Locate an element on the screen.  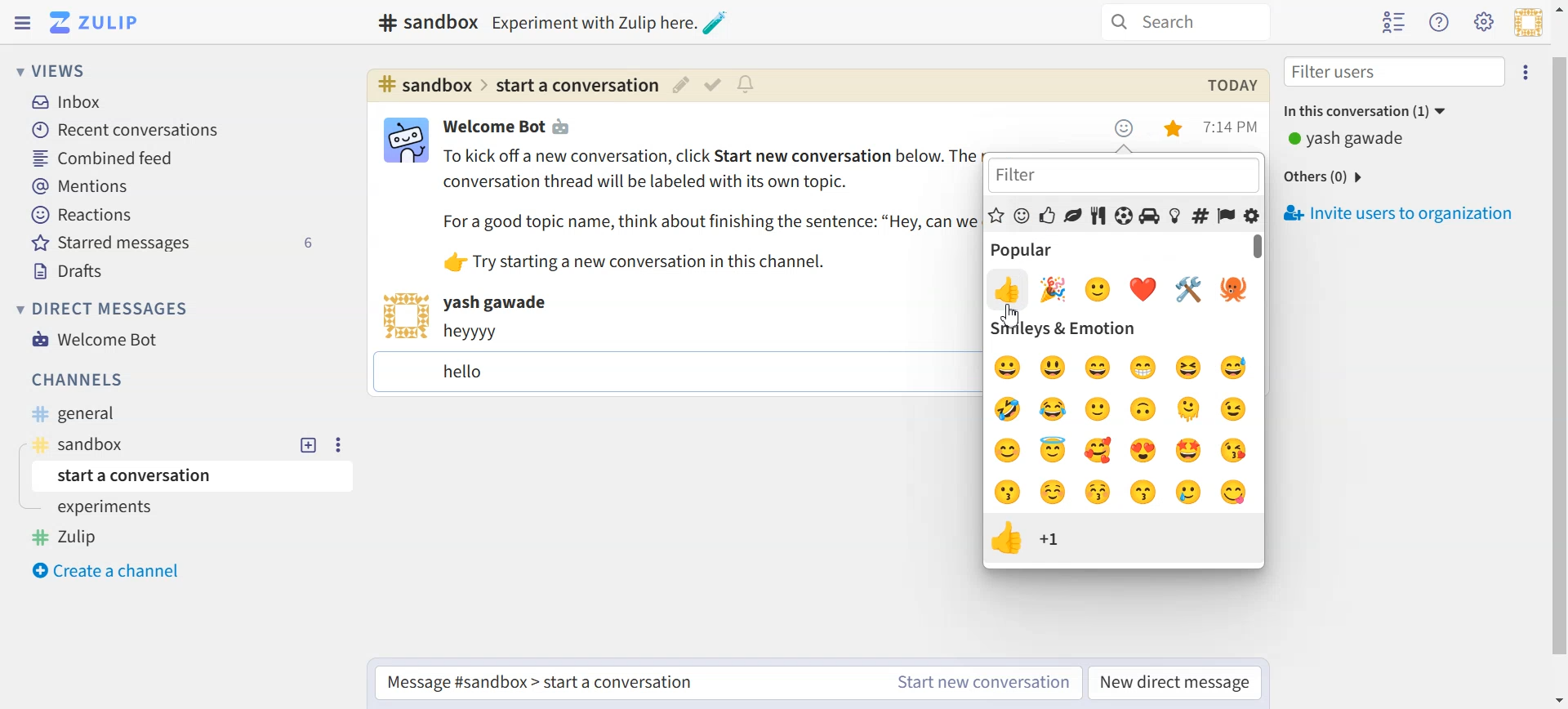
Configure topic notification is located at coordinates (748, 84).